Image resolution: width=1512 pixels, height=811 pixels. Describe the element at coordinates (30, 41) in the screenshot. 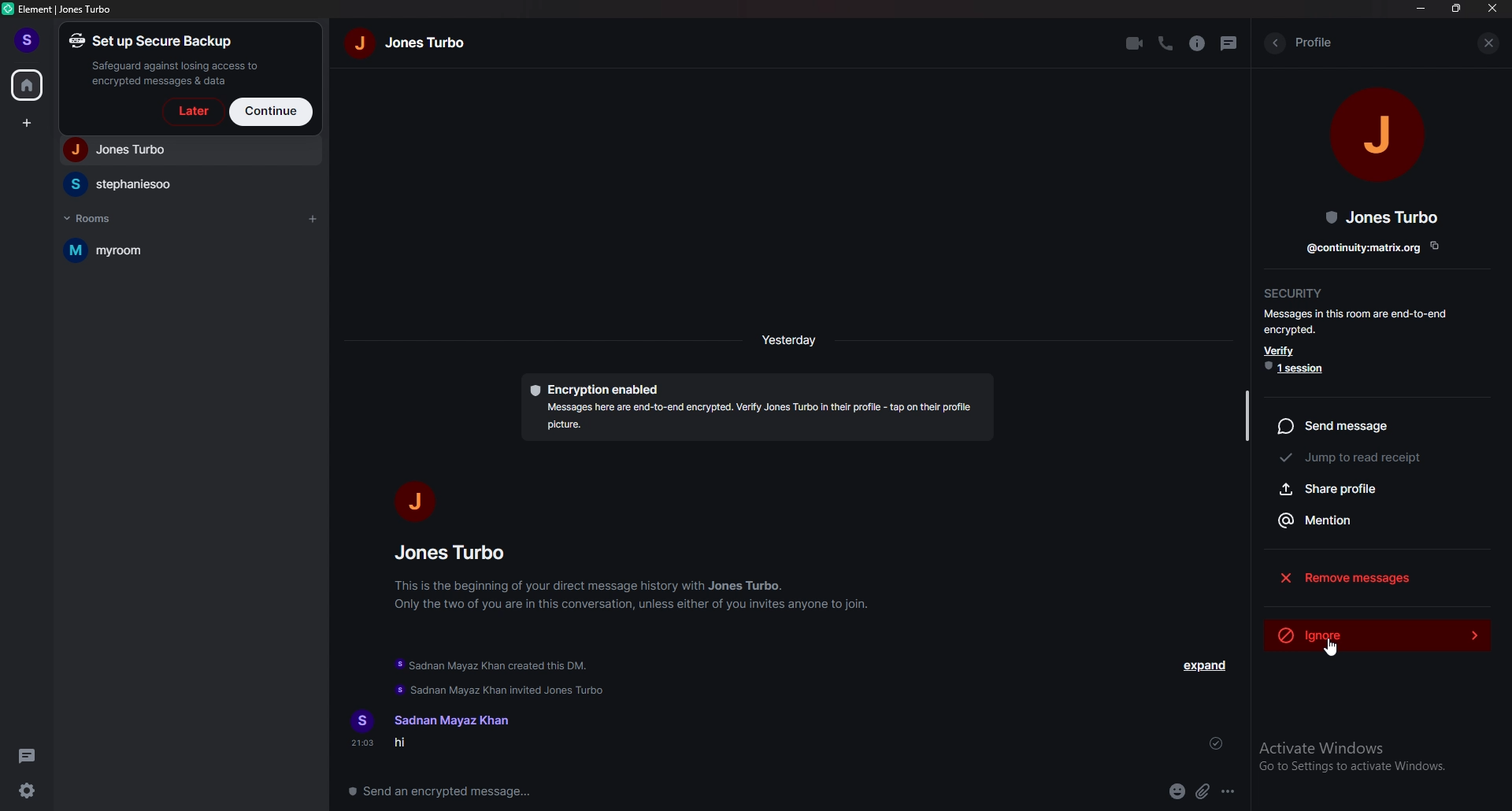

I see `profile` at that location.